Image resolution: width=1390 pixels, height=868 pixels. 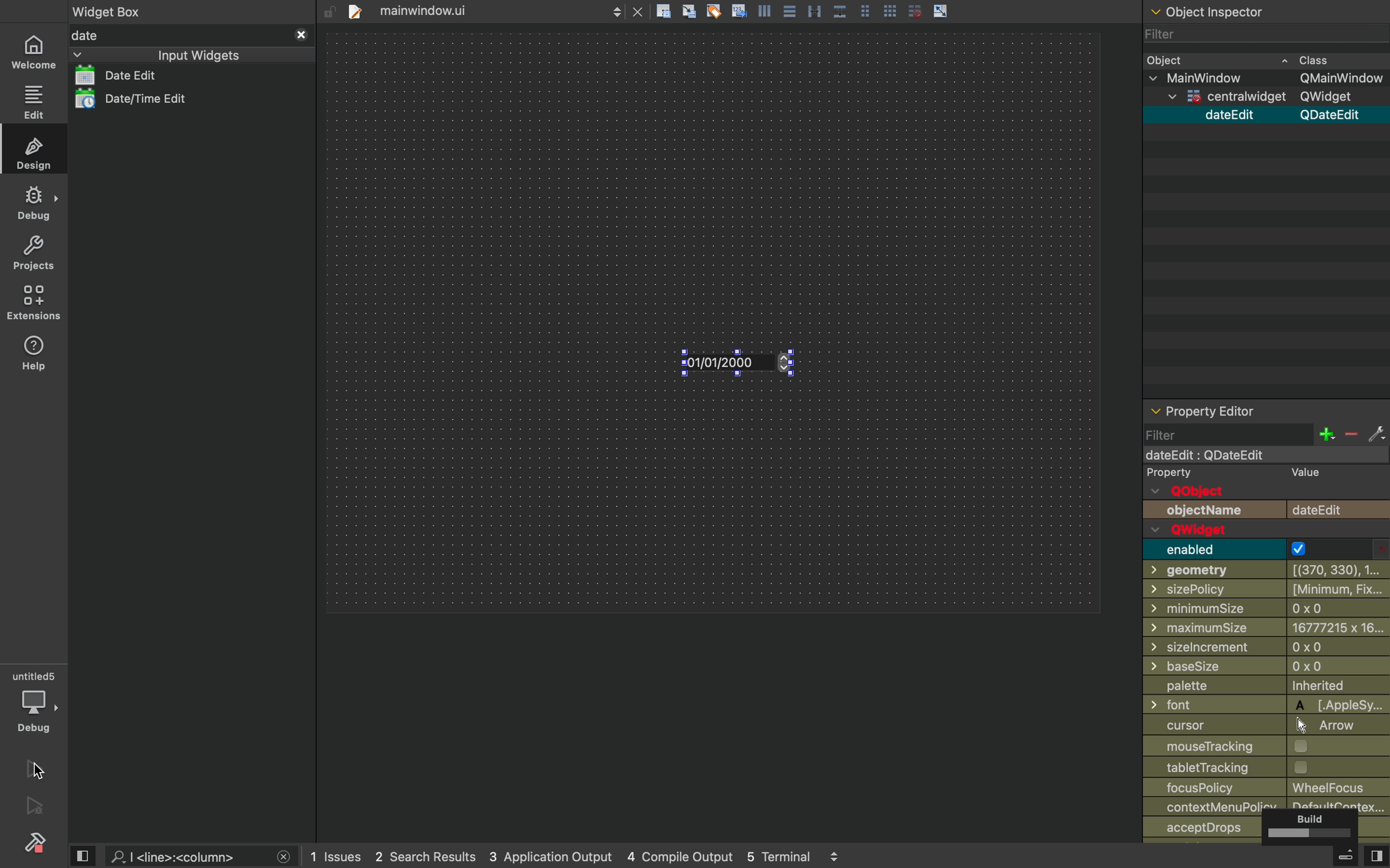 What do you see at coordinates (302, 35) in the screenshot?
I see `close` at bounding box center [302, 35].